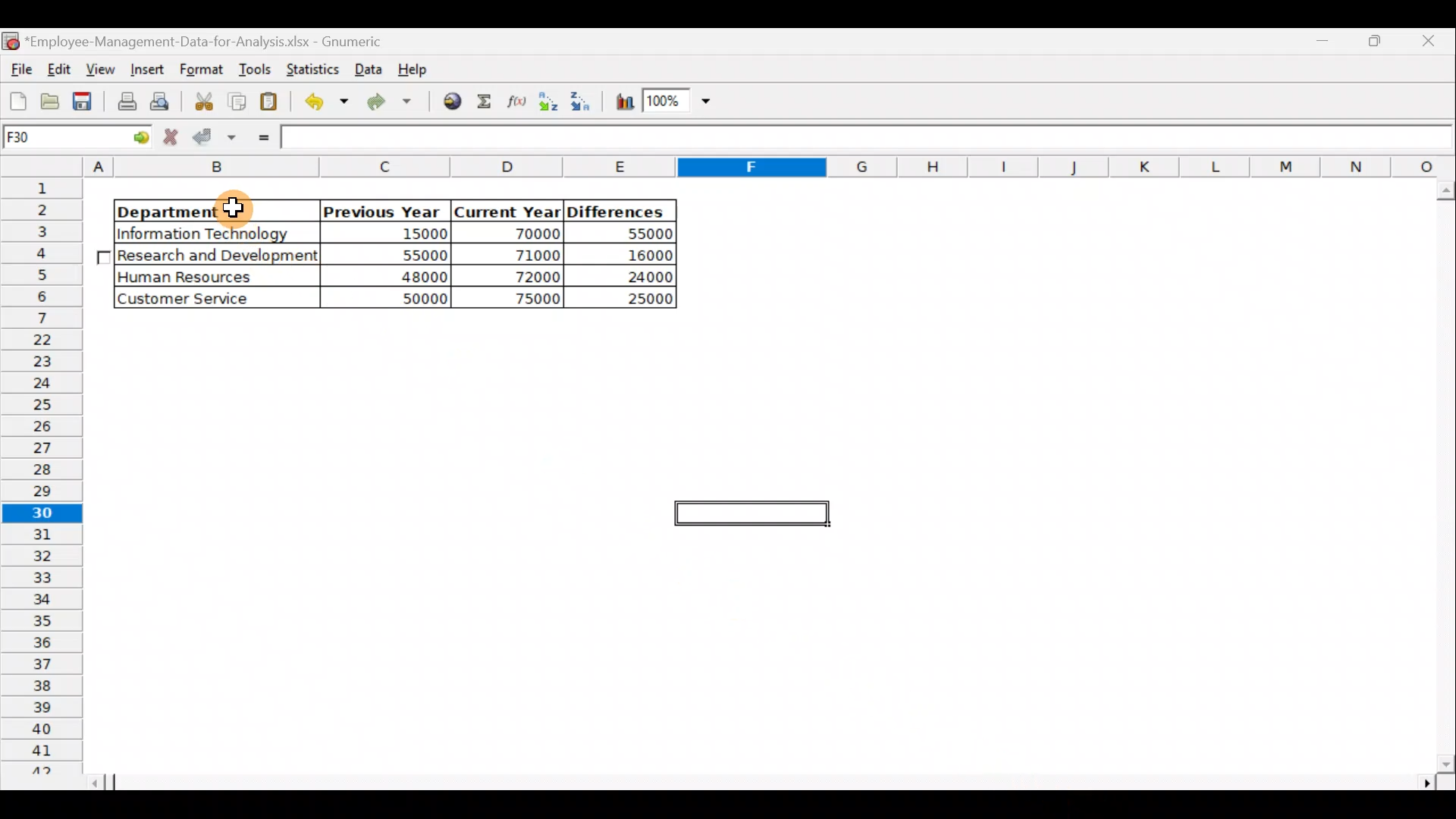 This screenshot has width=1456, height=819. Describe the element at coordinates (506, 210) in the screenshot. I see `Current Year` at that location.